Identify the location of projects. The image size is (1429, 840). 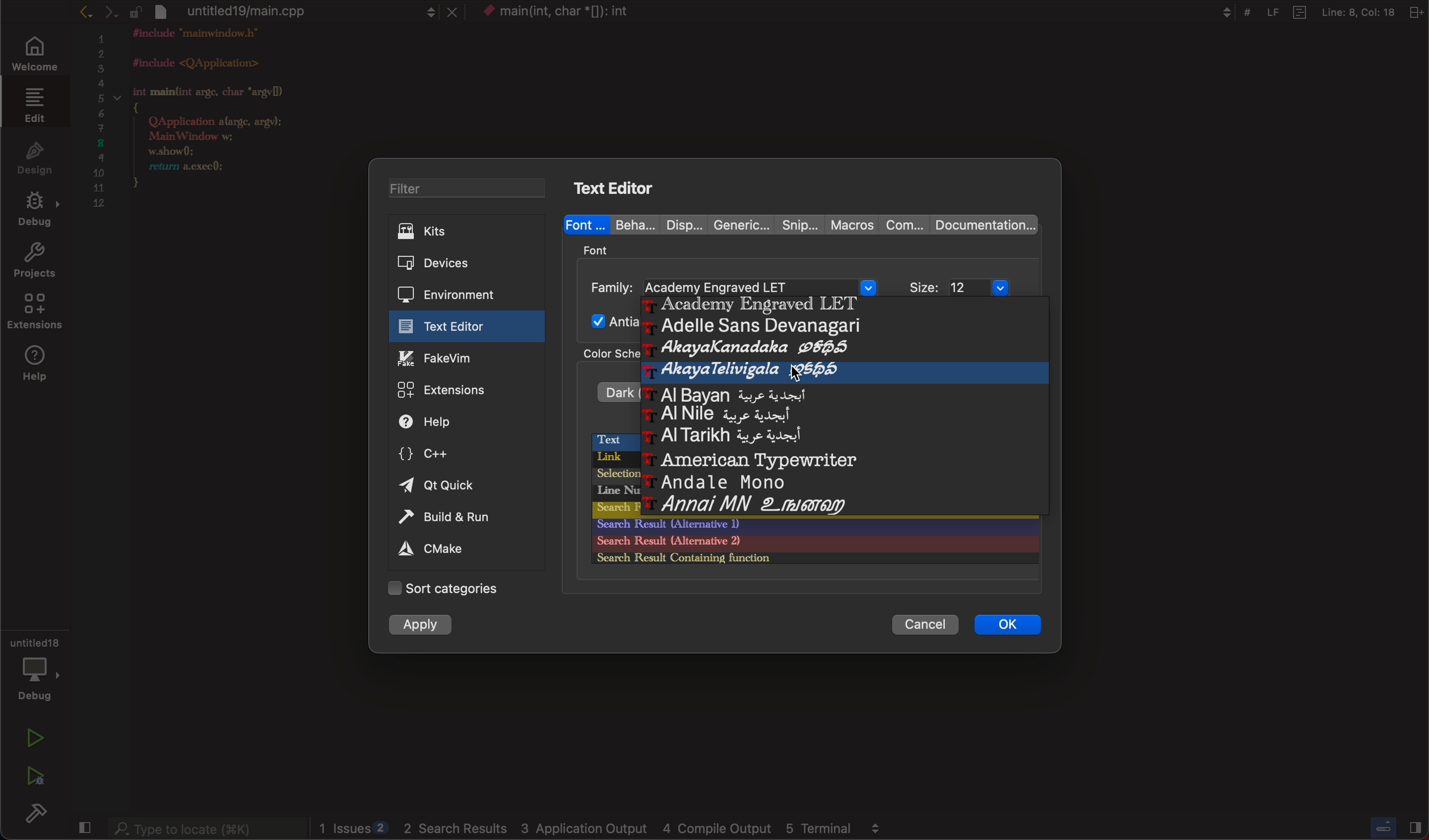
(35, 262).